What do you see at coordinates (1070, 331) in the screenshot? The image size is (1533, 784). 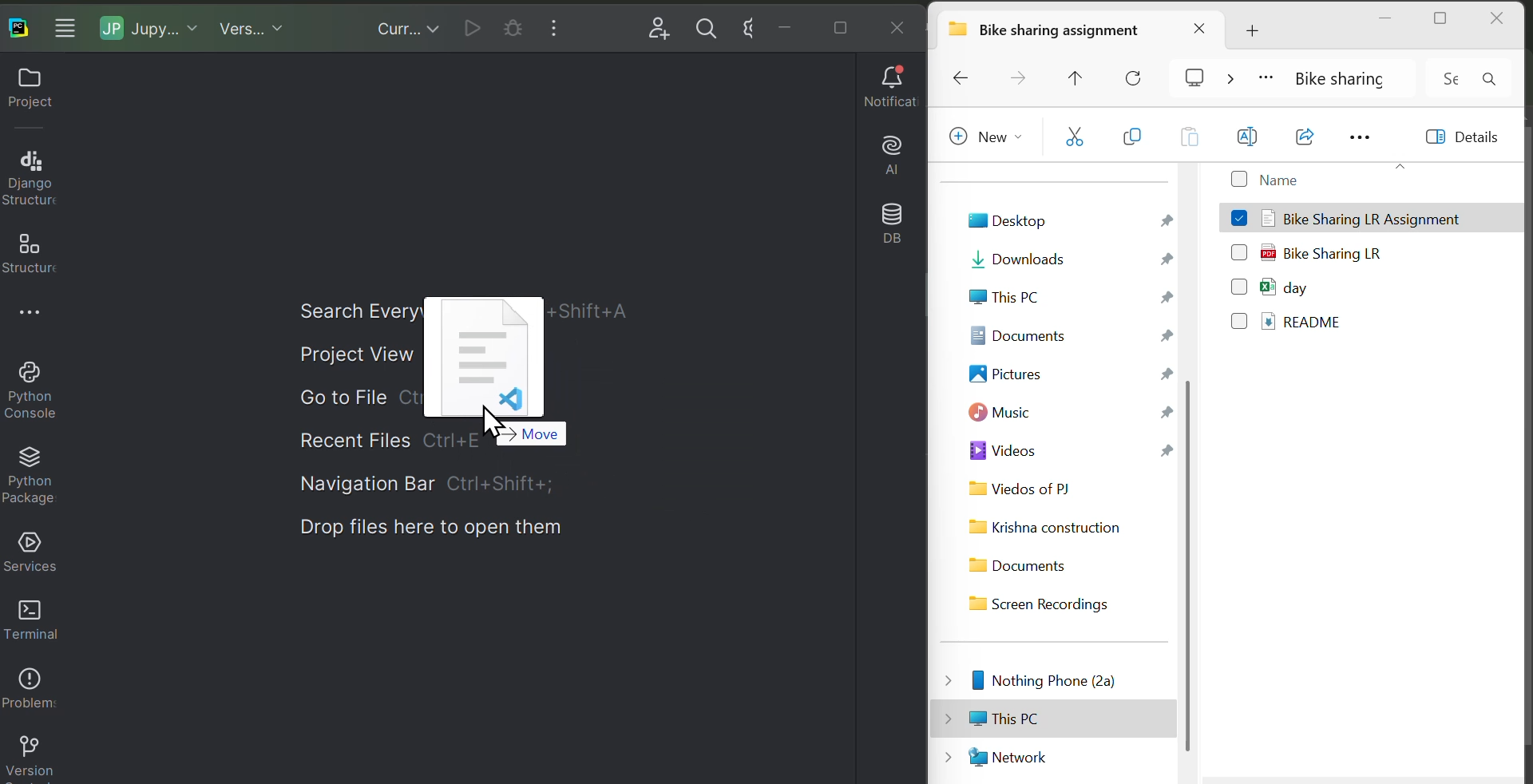 I see `Documents` at bounding box center [1070, 331].